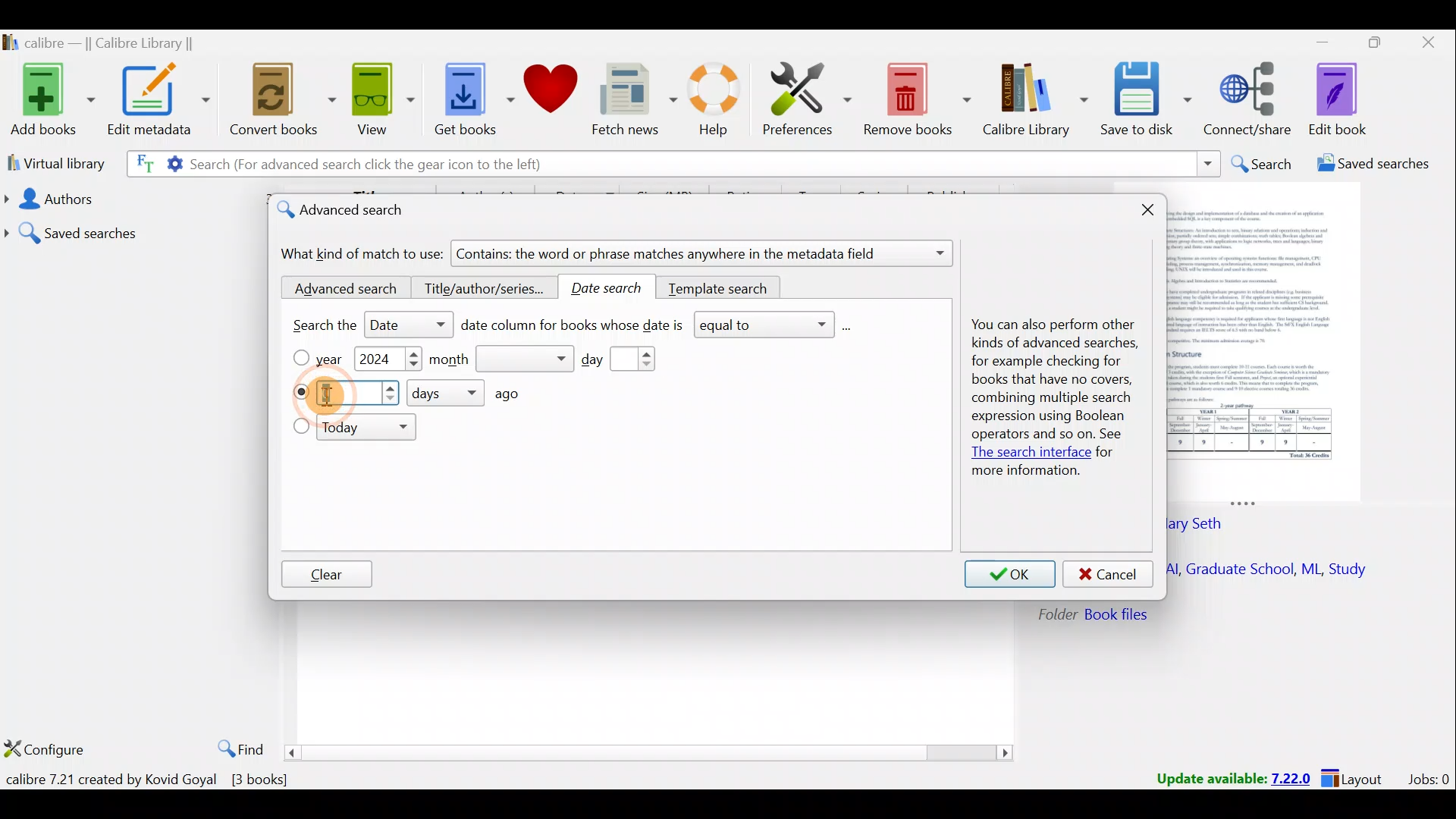  Describe the element at coordinates (354, 212) in the screenshot. I see `Advanced search` at that location.